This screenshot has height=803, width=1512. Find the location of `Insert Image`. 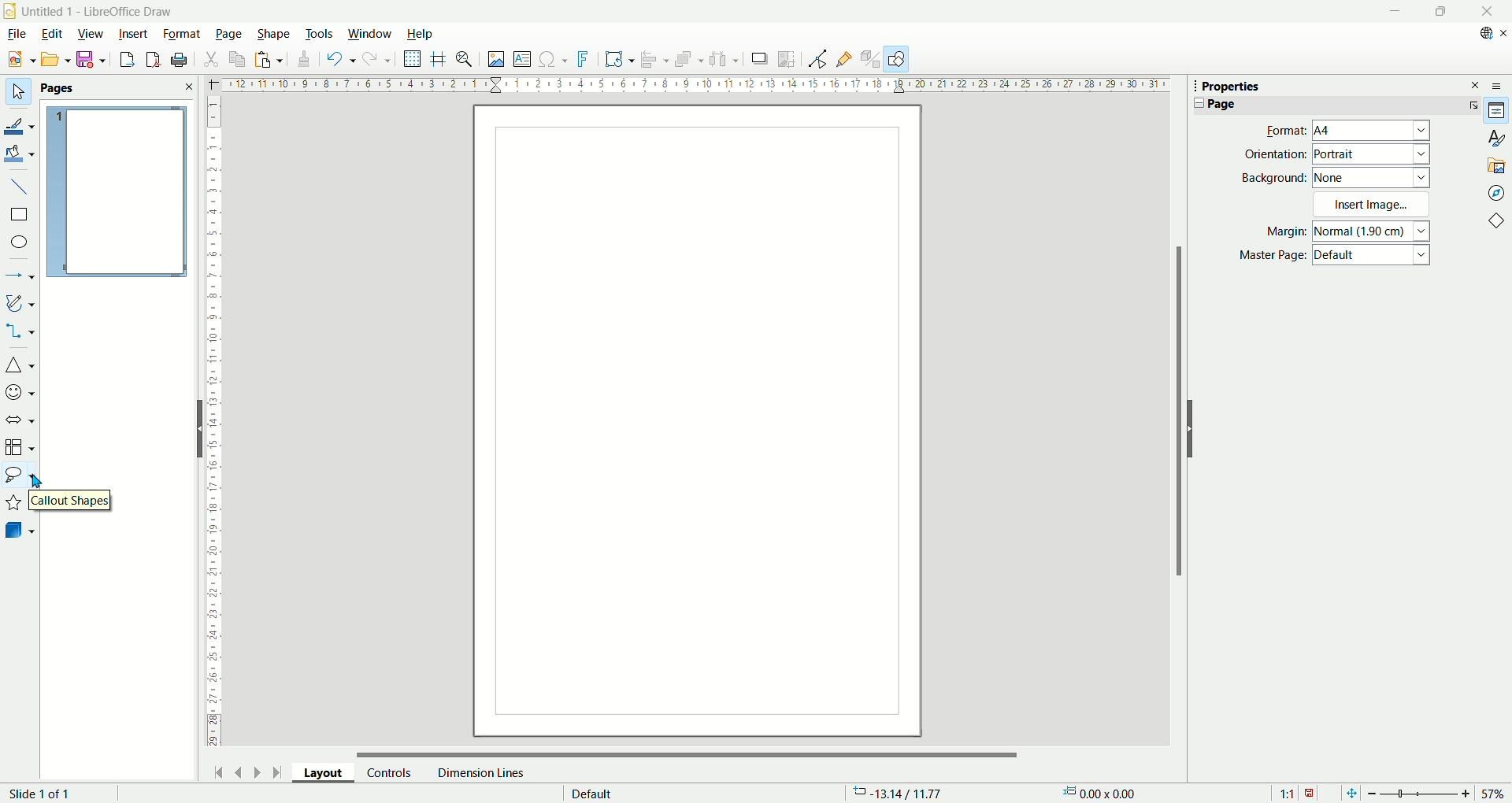

Insert Image is located at coordinates (1373, 204).